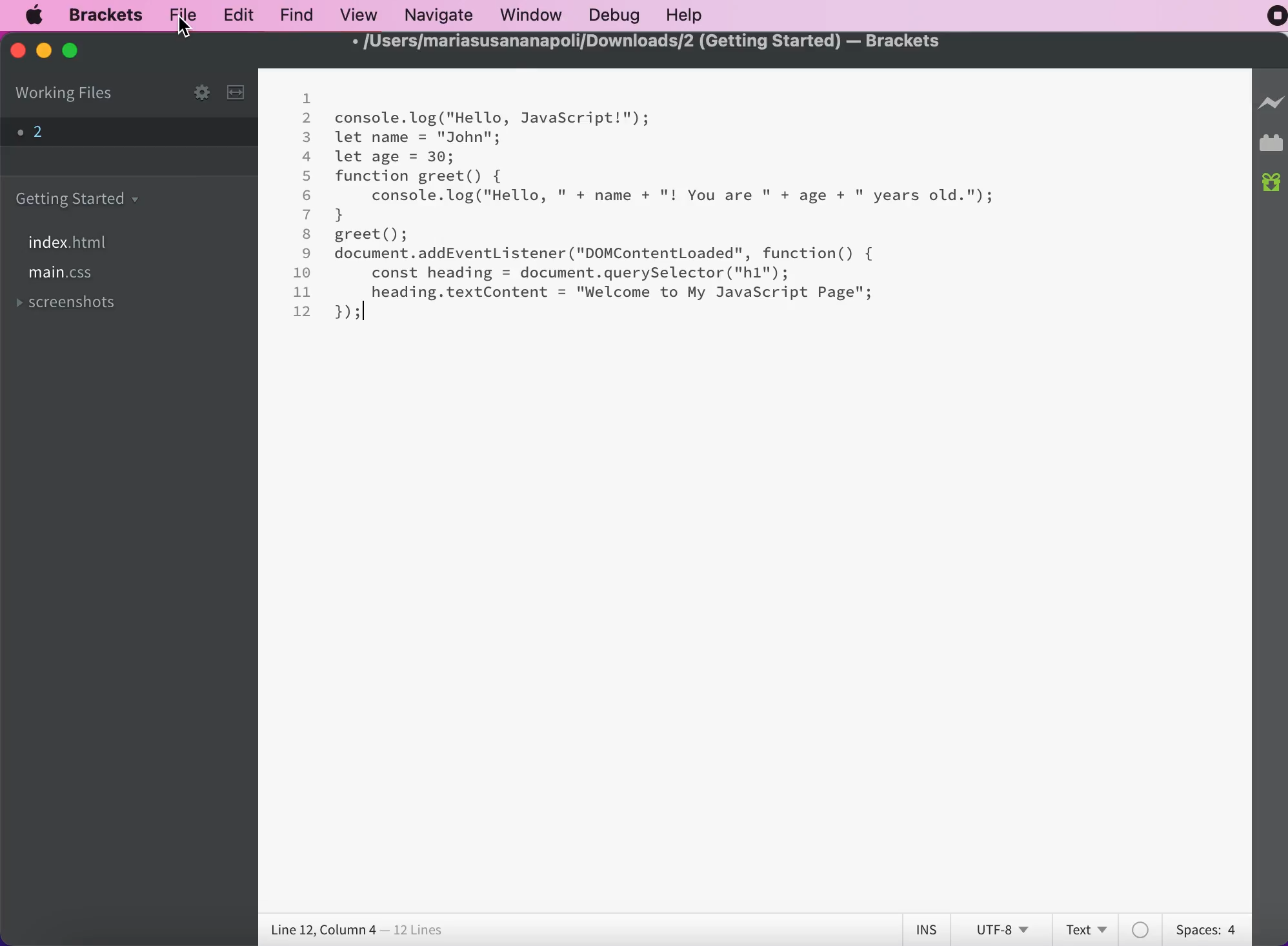  What do you see at coordinates (687, 15) in the screenshot?
I see `help` at bounding box center [687, 15].